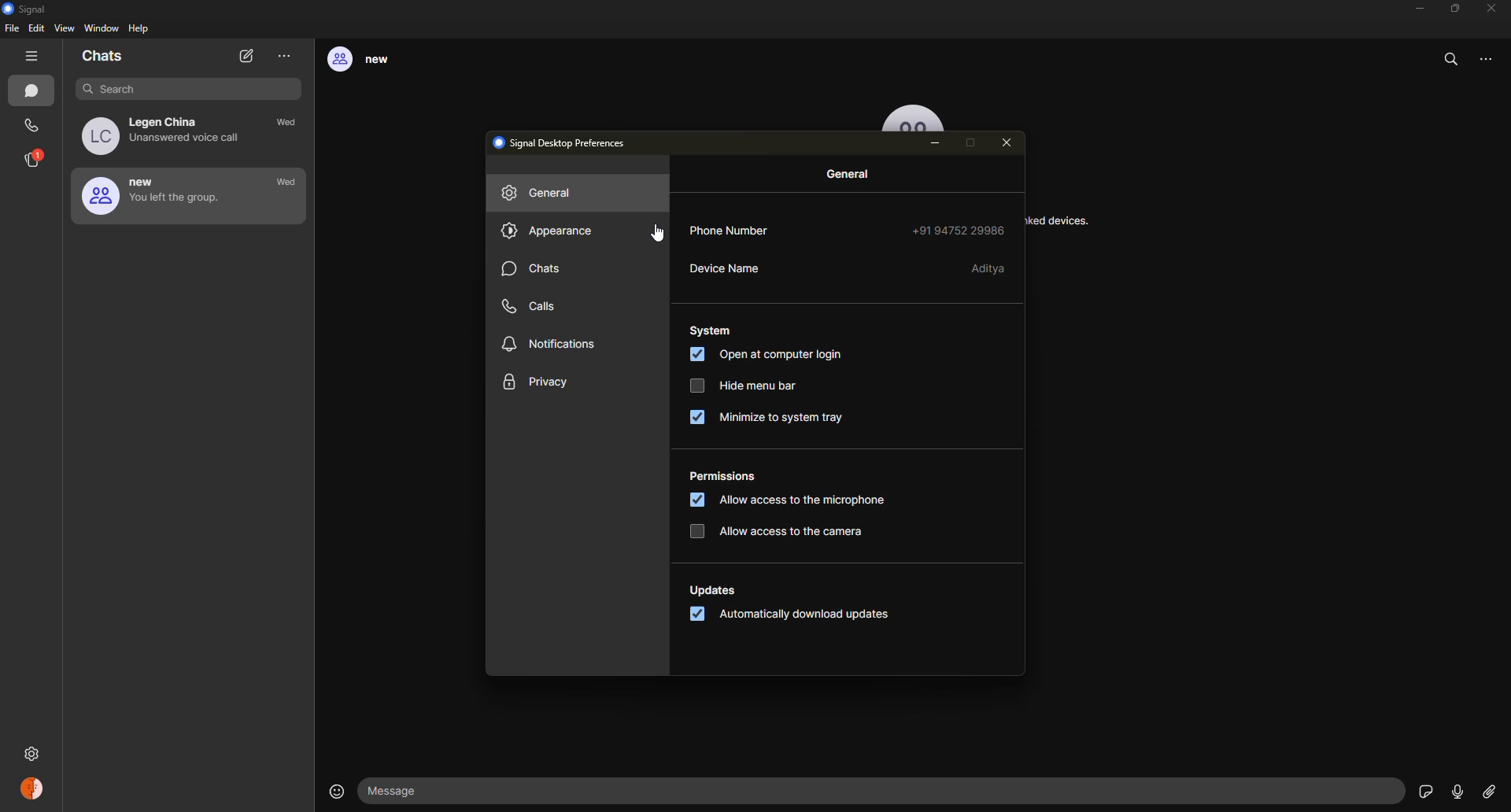  I want to click on minimize, so click(1415, 9).